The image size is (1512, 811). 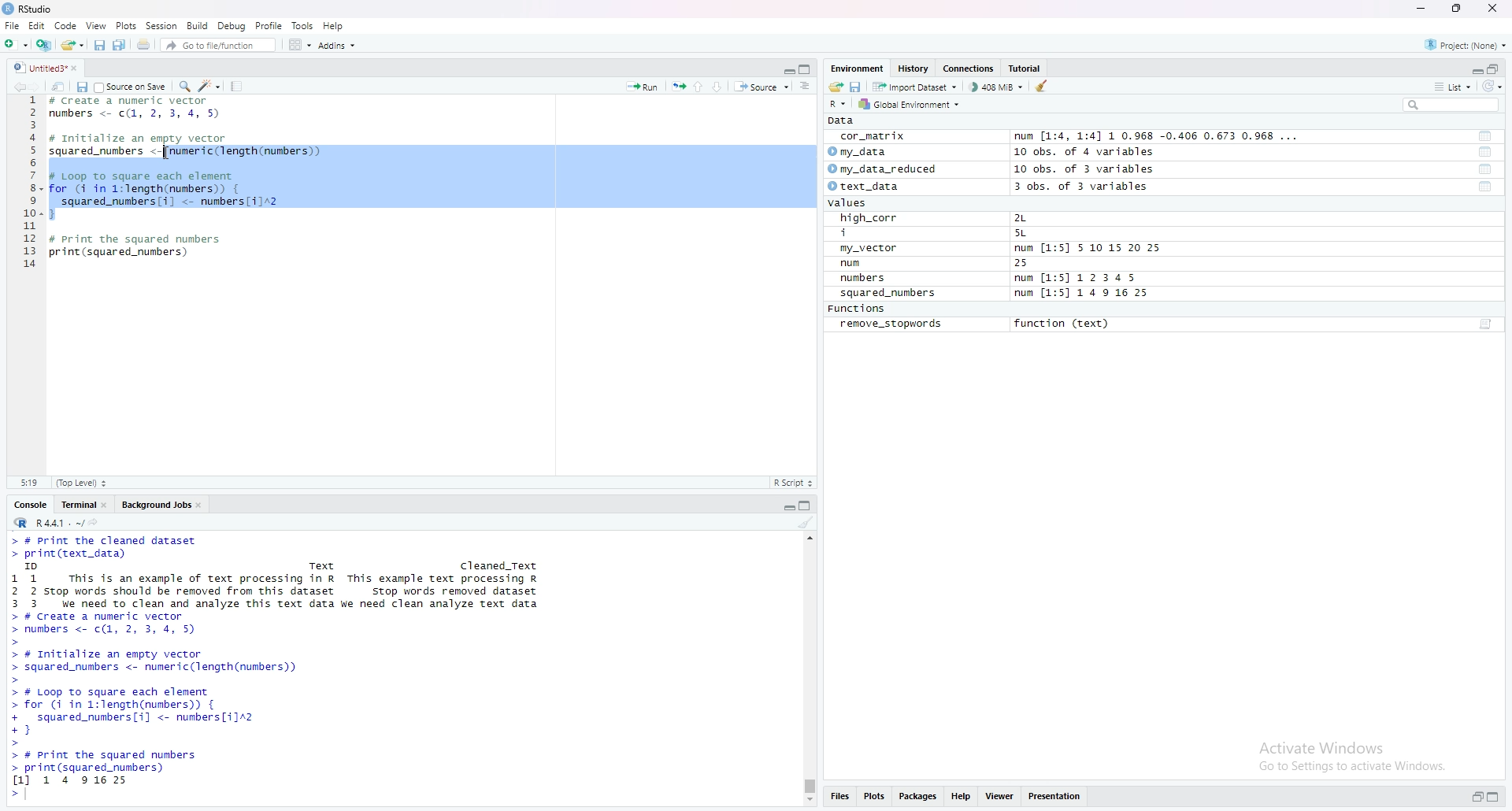 What do you see at coordinates (139, 108) in the screenshot?
I see `# Create a number vector numbers <- c(1, 2, 3, 4,5)` at bounding box center [139, 108].